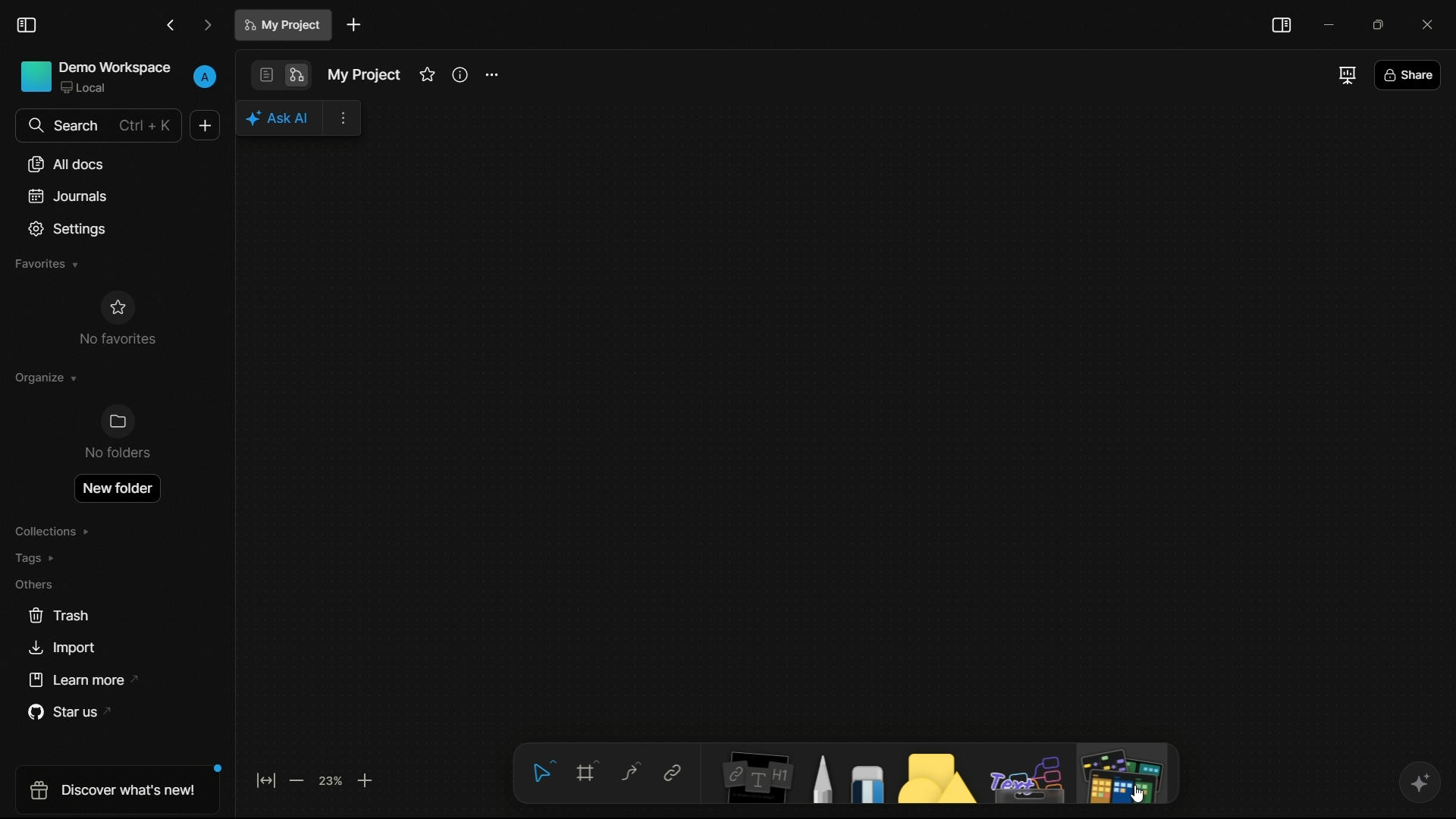 Image resolution: width=1456 pixels, height=819 pixels. What do you see at coordinates (295, 780) in the screenshot?
I see `zoom out` at bounding box center [295, 780].